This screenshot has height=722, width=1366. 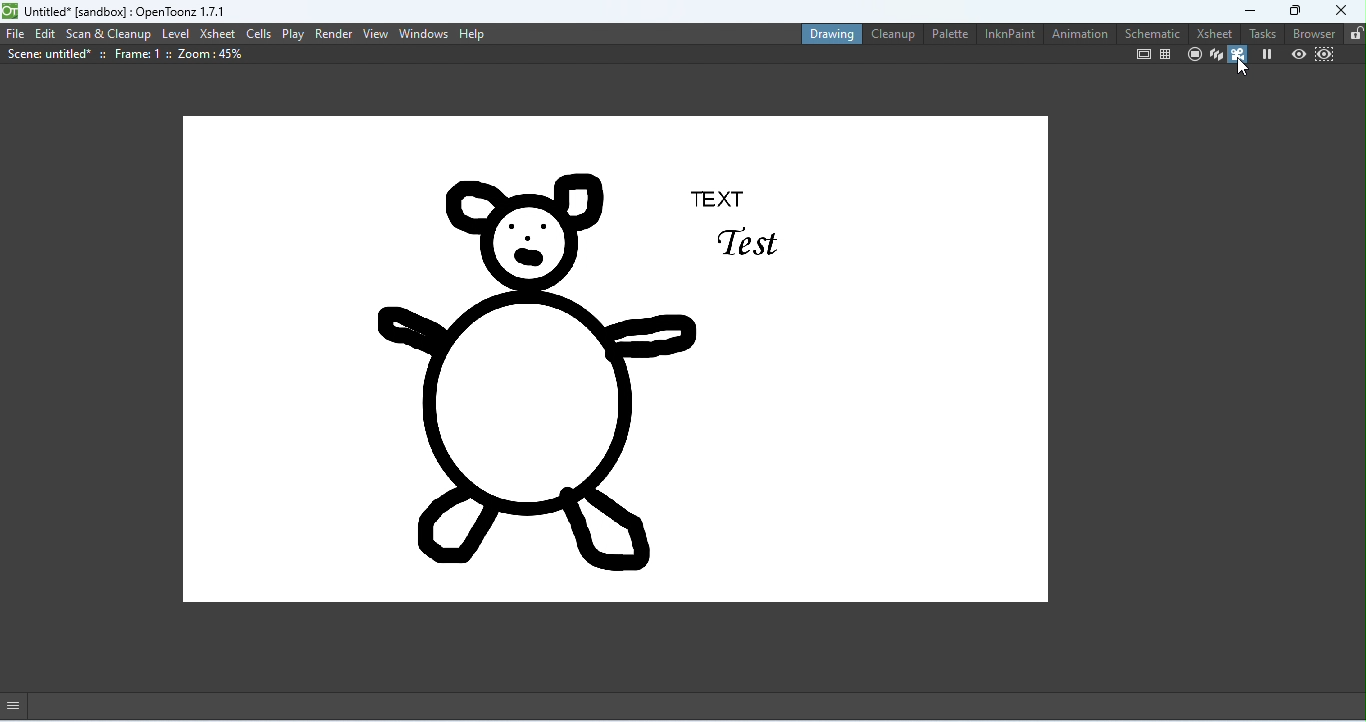 What do you see at coordinates (947, 33) in the screenshot?
I see `palette` at bounding box center [947, 33].